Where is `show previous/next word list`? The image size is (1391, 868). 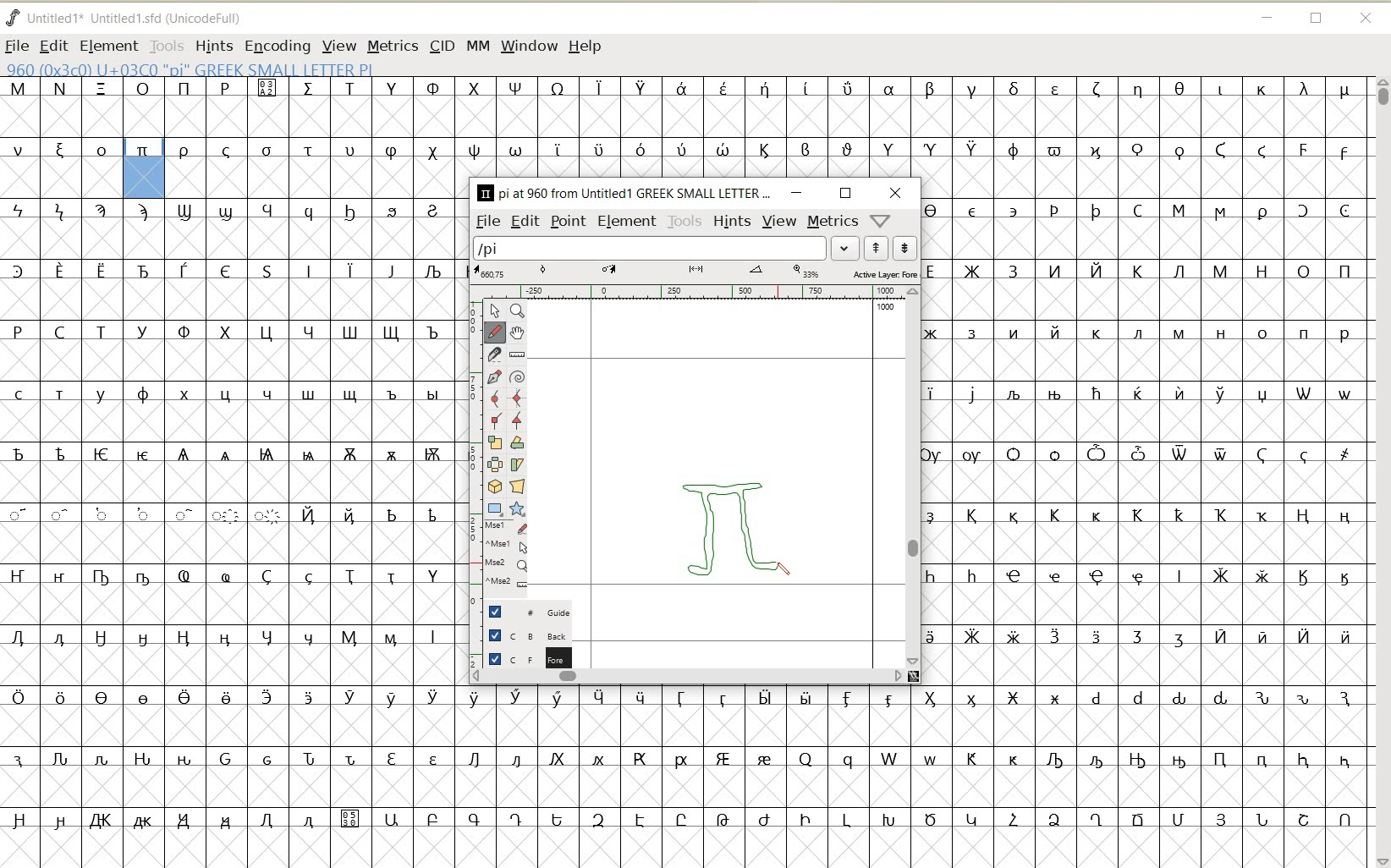
show previous/next word list is located at coordinates (889, 248).